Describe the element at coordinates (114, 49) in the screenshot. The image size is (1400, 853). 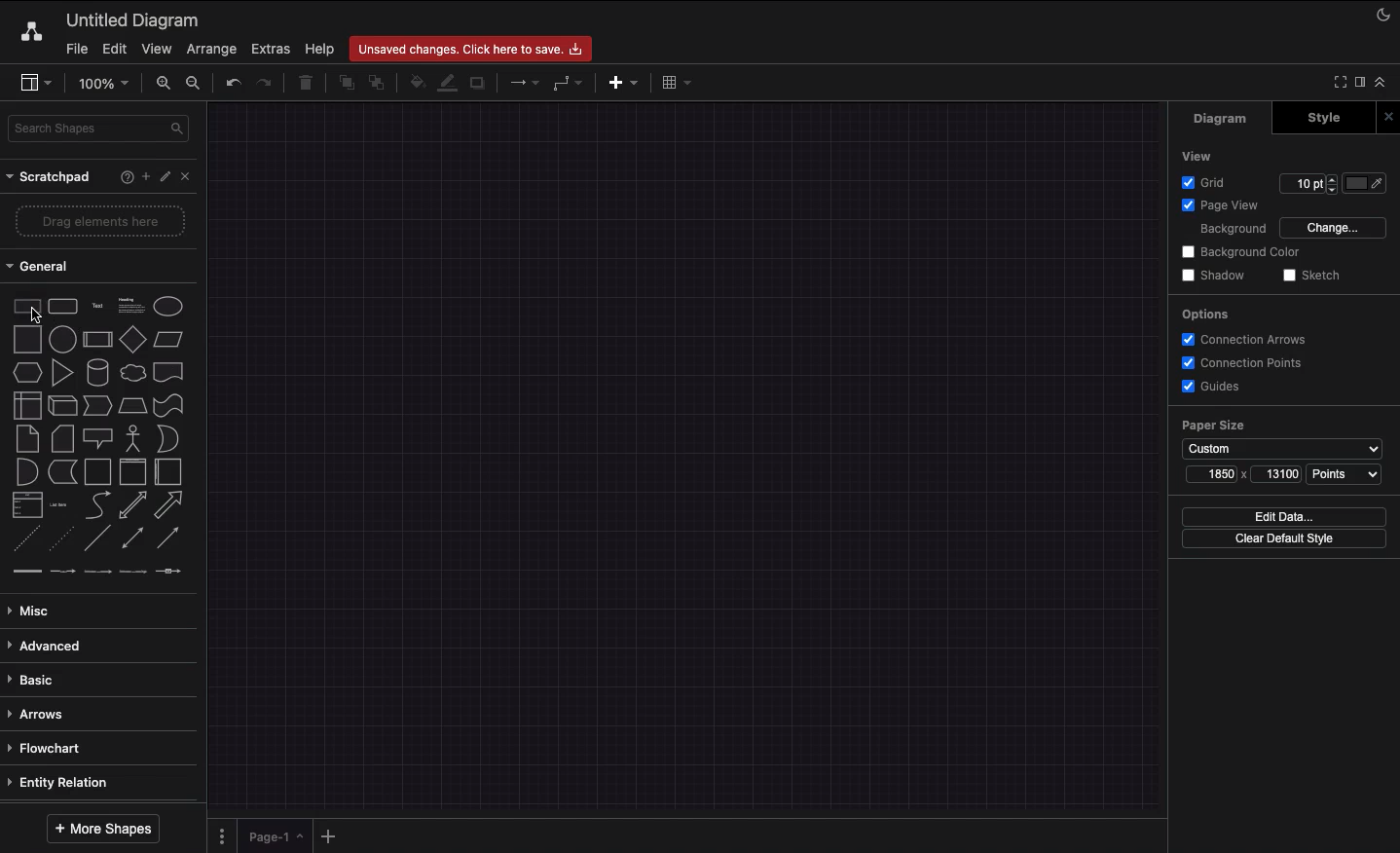
I see `Edit` at that location.